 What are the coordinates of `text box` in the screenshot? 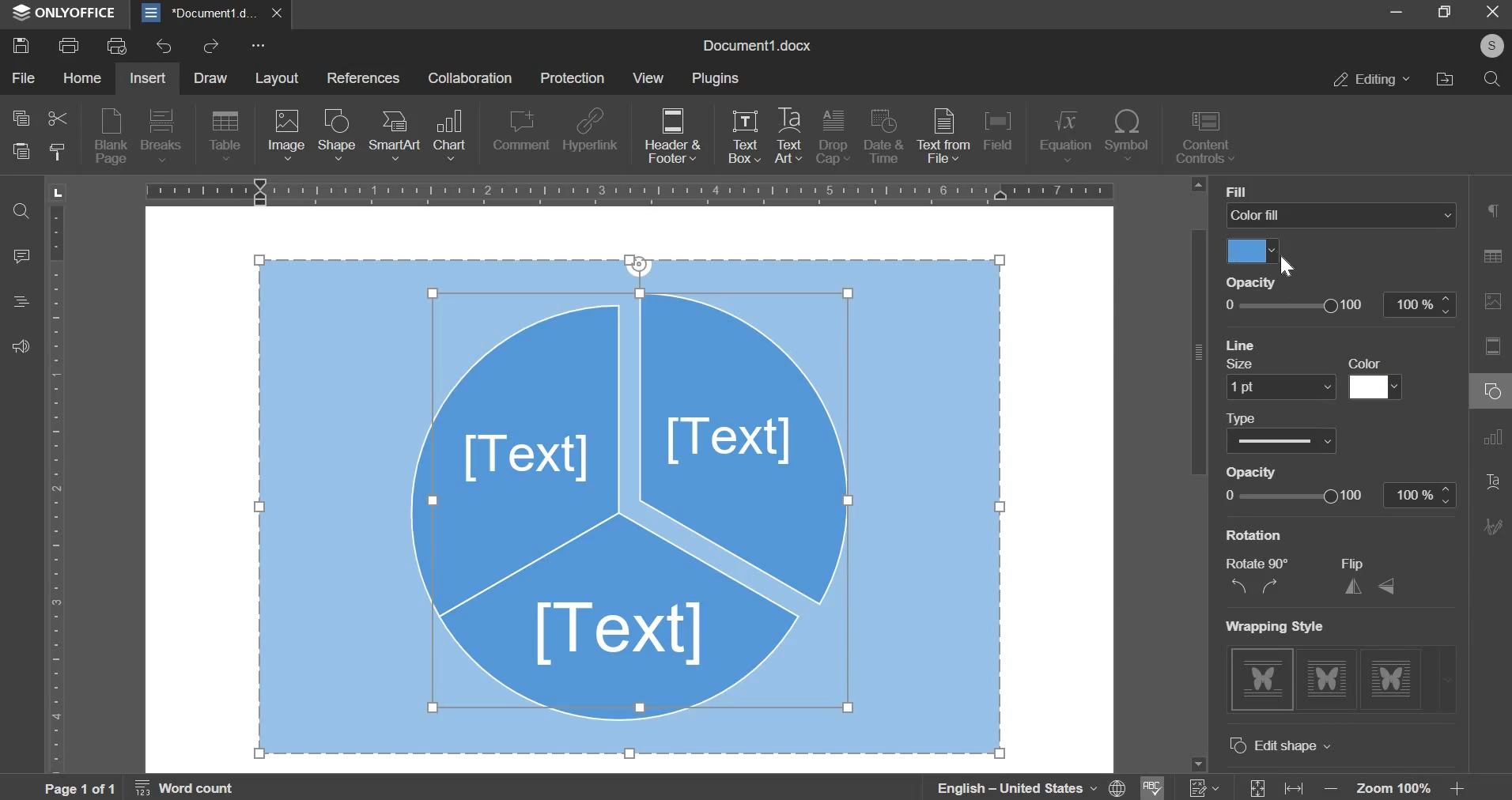 It's located at (744, 140).